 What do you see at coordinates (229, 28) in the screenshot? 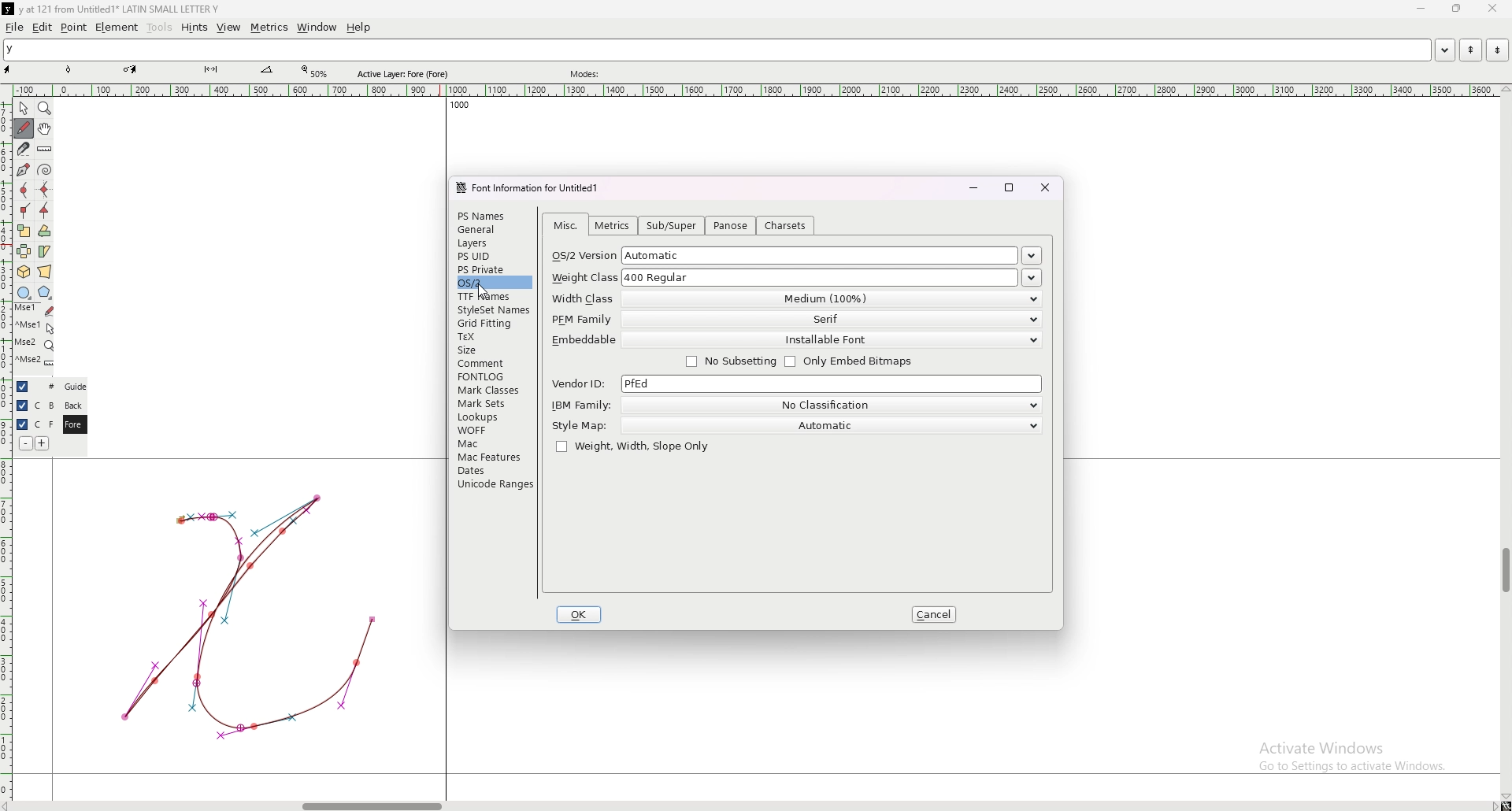
I see `view` at bounding box center [229, 28].